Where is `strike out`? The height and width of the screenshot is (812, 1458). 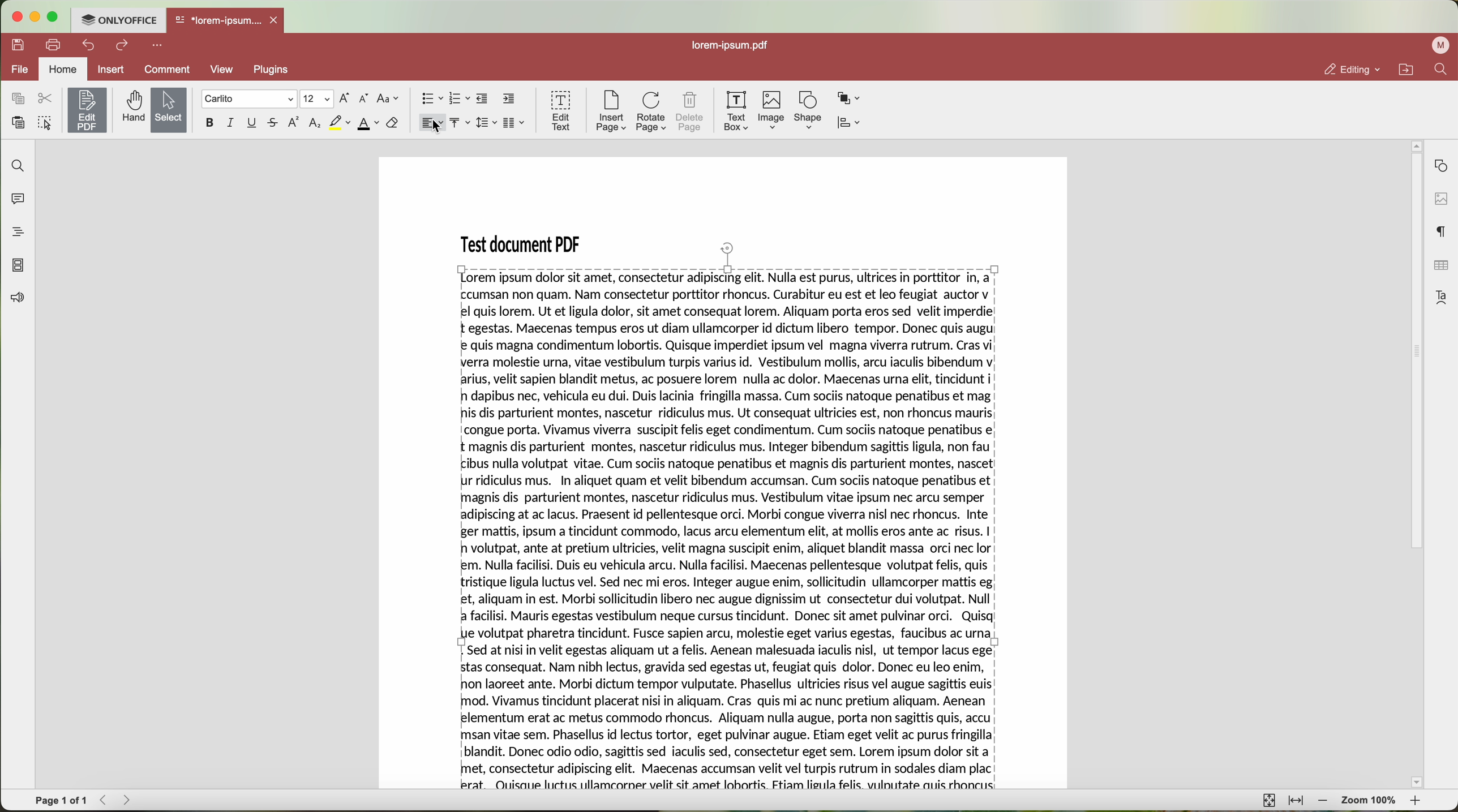 strike out is located at coordinates (276, 123).